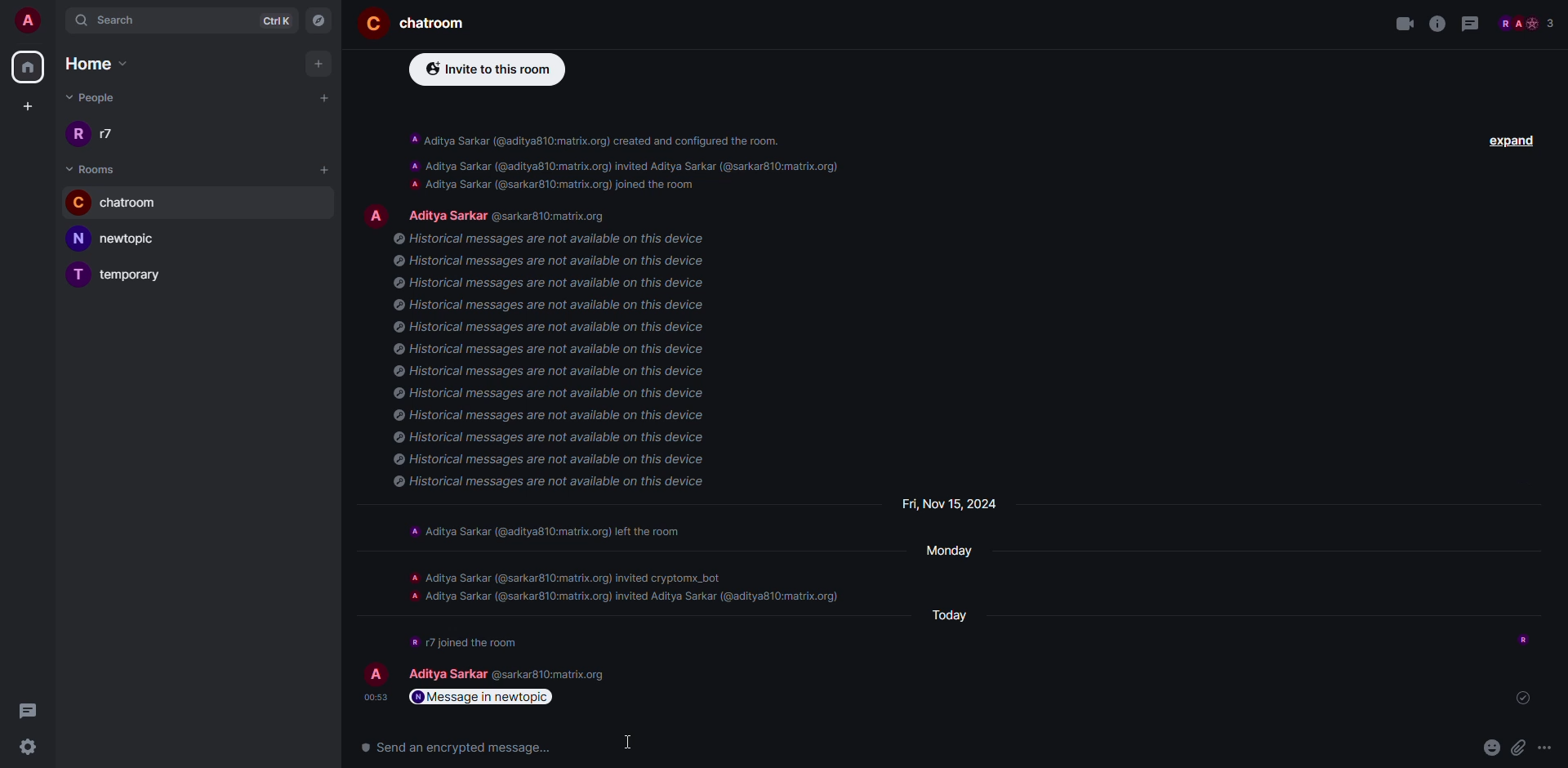  What do you see at coordinates (318, 19) in the screenshot?
I see `navigator` at bounding box center [318, 19].